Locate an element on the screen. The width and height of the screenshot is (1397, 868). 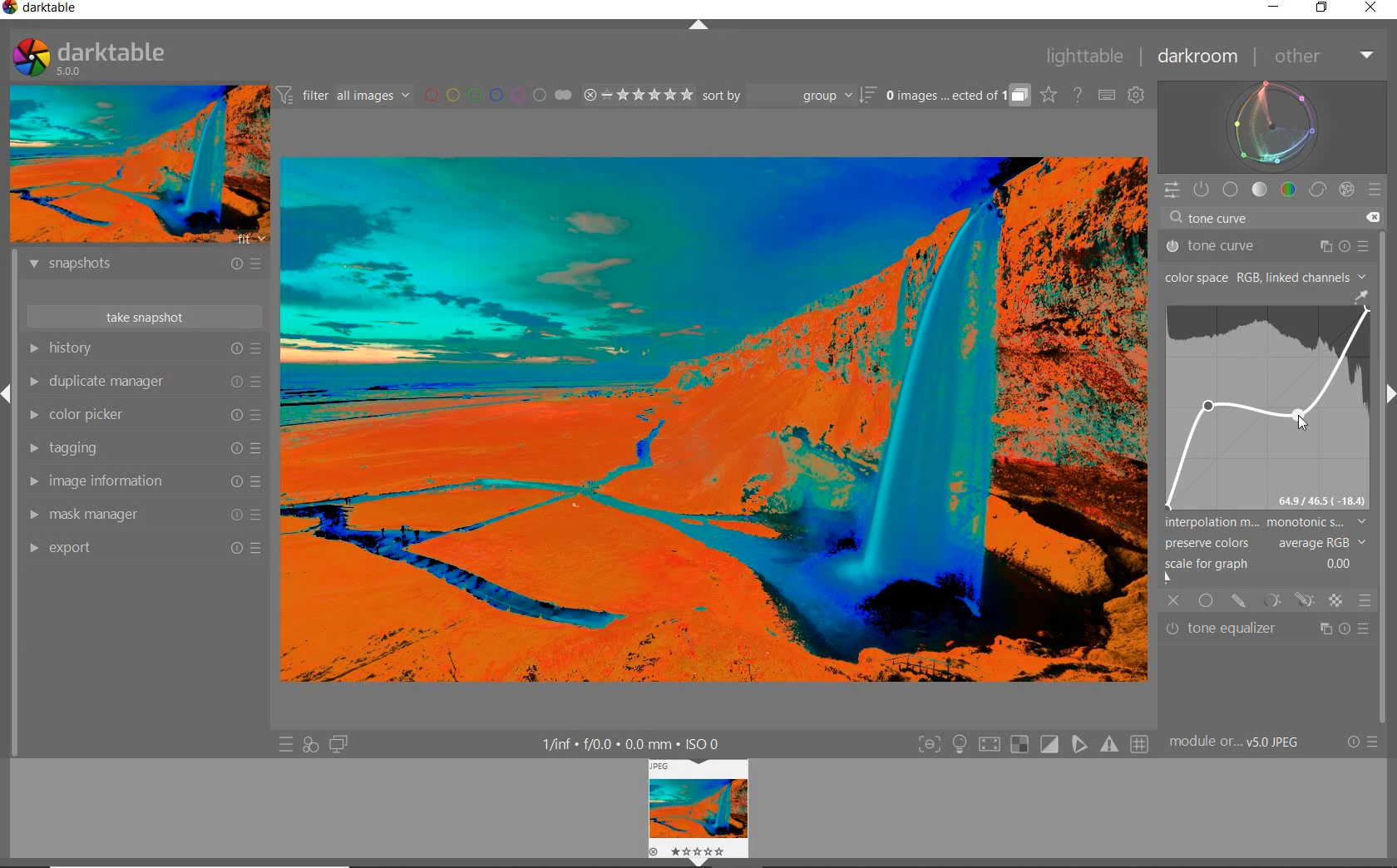
color picker is located at coordinates (143, 415).